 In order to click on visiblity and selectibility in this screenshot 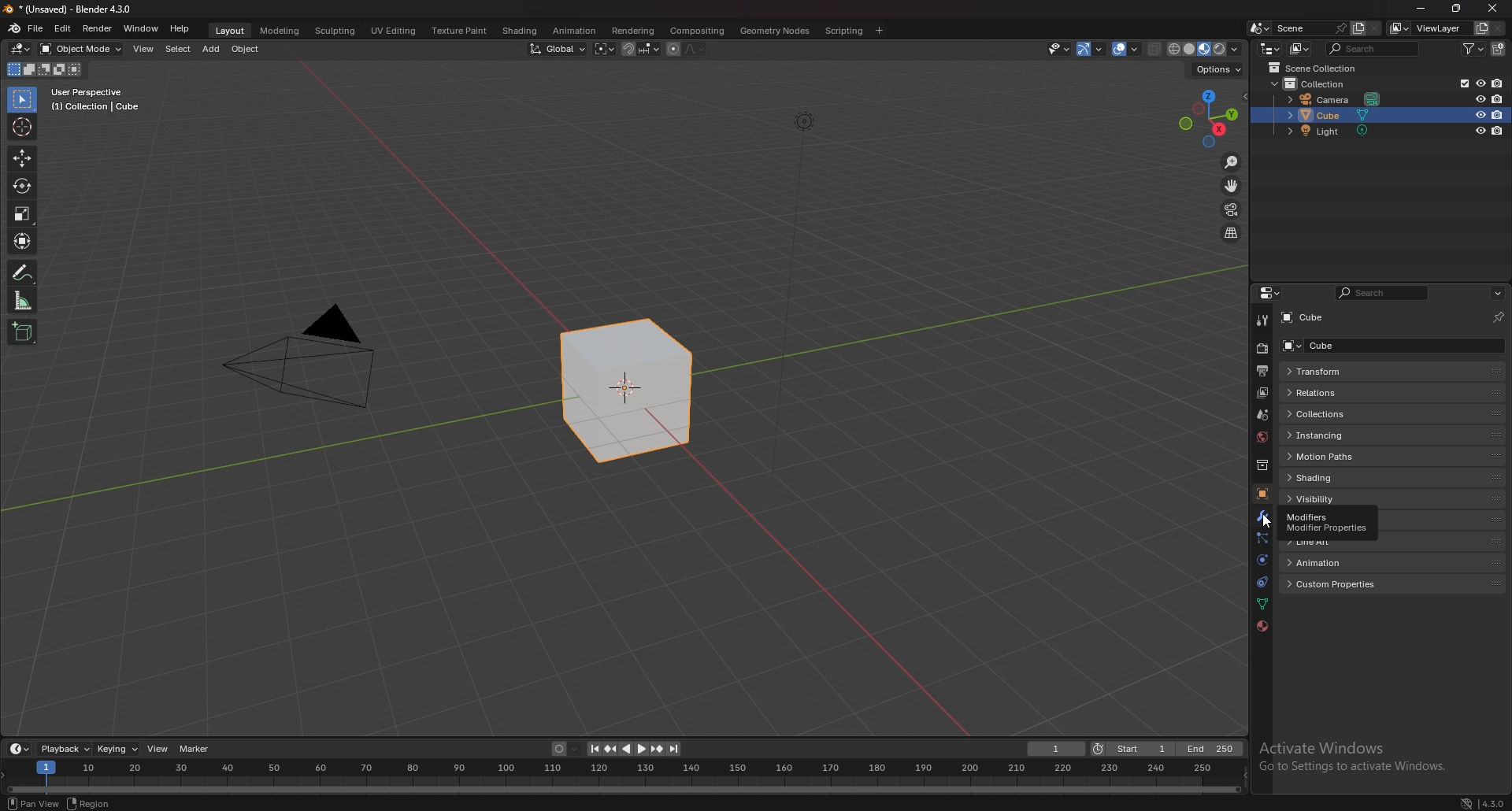, I will do `click(1058, 49)`.